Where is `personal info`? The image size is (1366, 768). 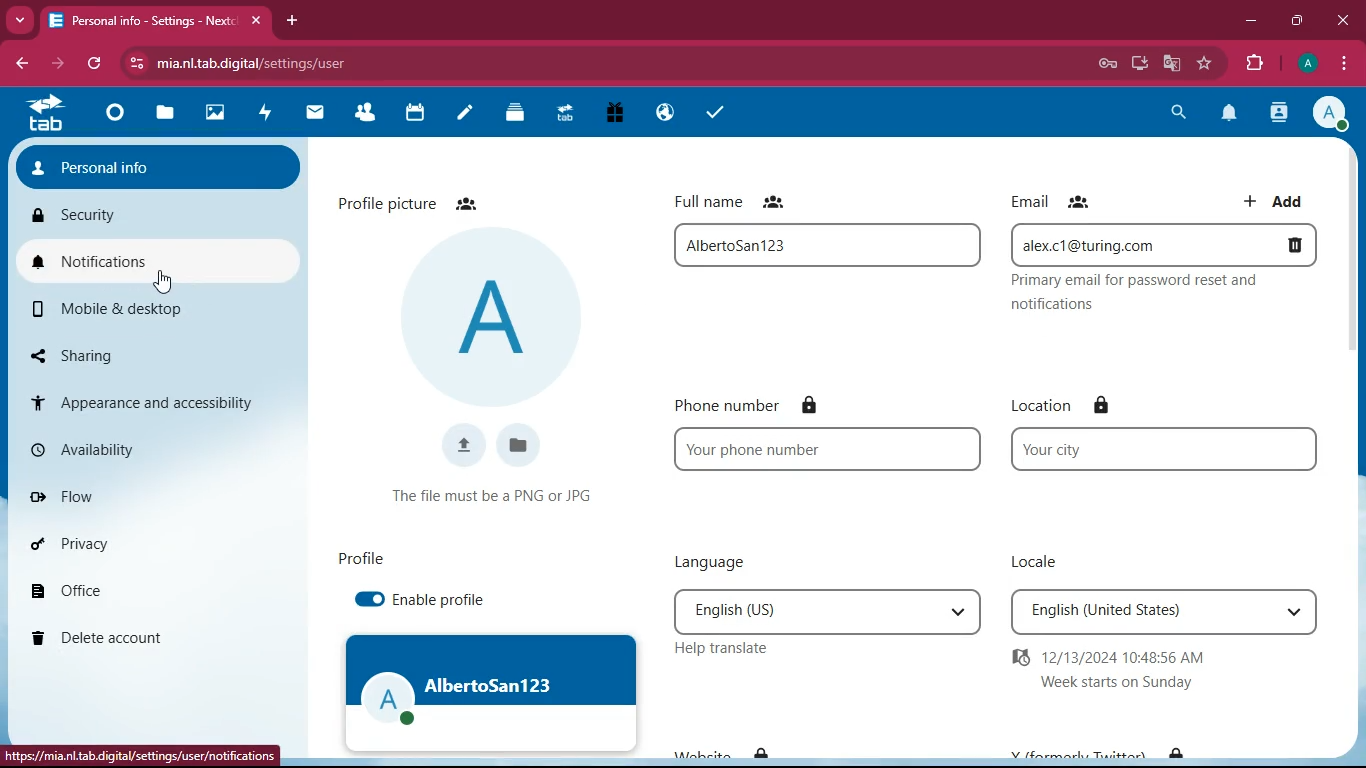
personal info is located at coordinates (160, 167).